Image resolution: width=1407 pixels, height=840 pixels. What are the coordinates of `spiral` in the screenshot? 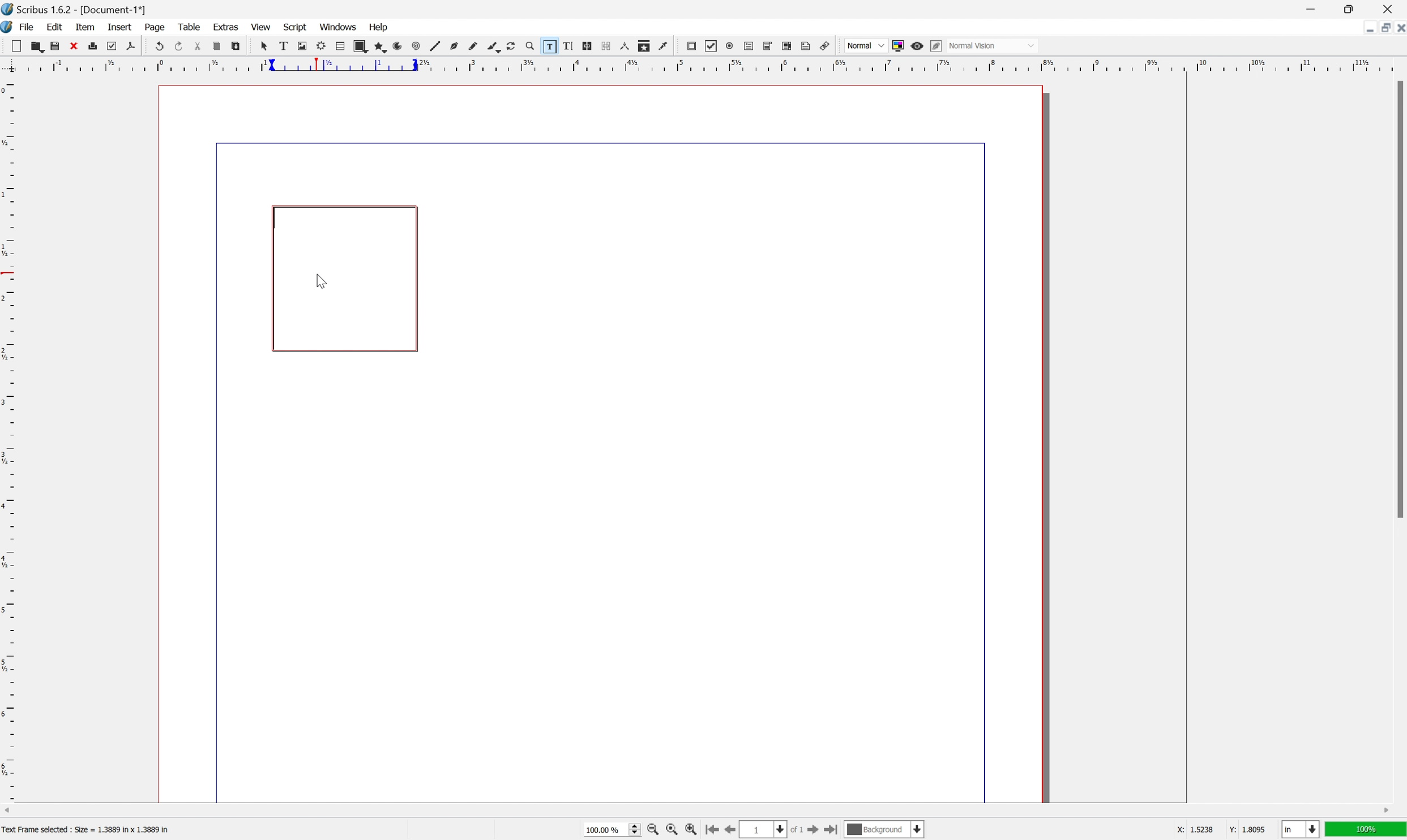 It's located at (401, 46).